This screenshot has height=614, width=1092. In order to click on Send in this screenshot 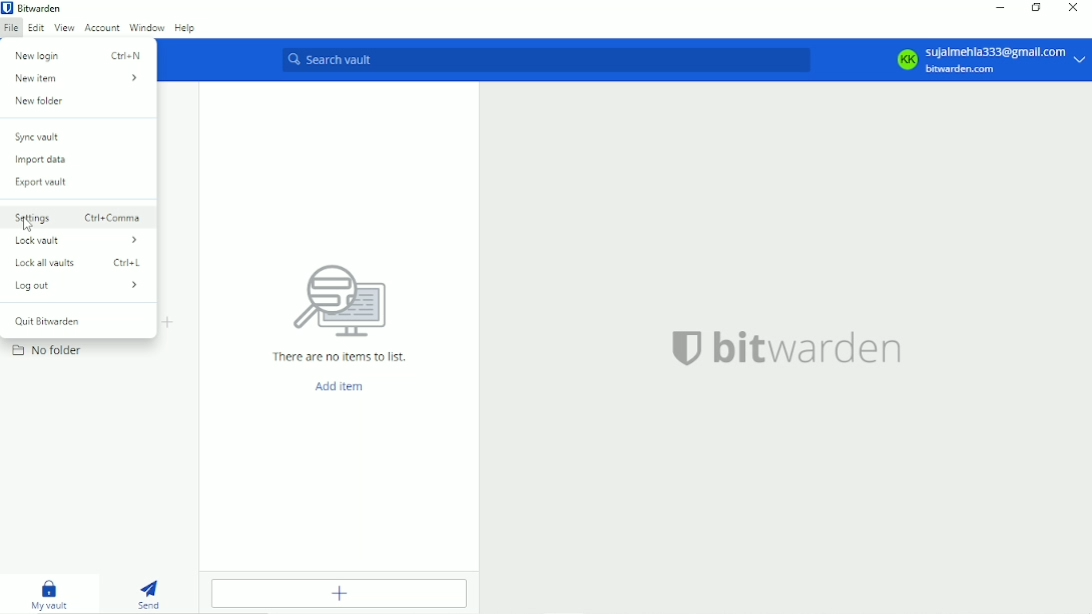, I will do `click(149, 594)`.